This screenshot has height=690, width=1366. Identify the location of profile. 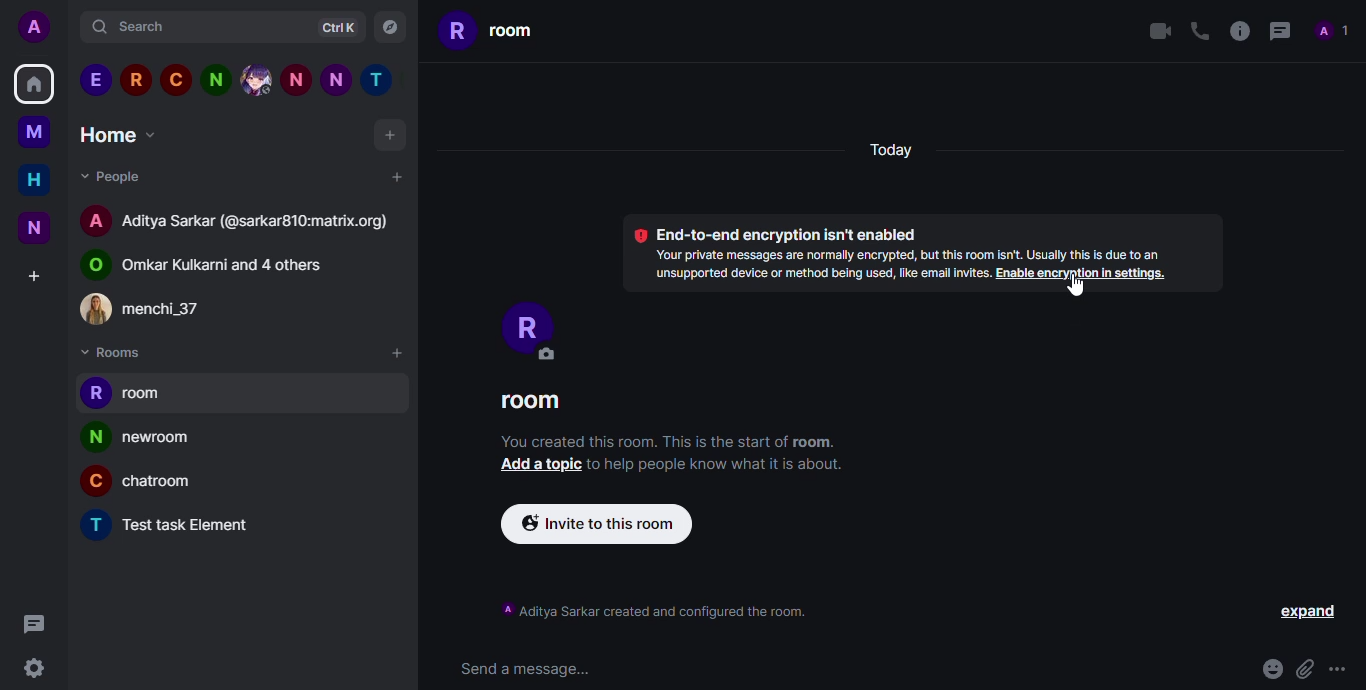
(94, 524).